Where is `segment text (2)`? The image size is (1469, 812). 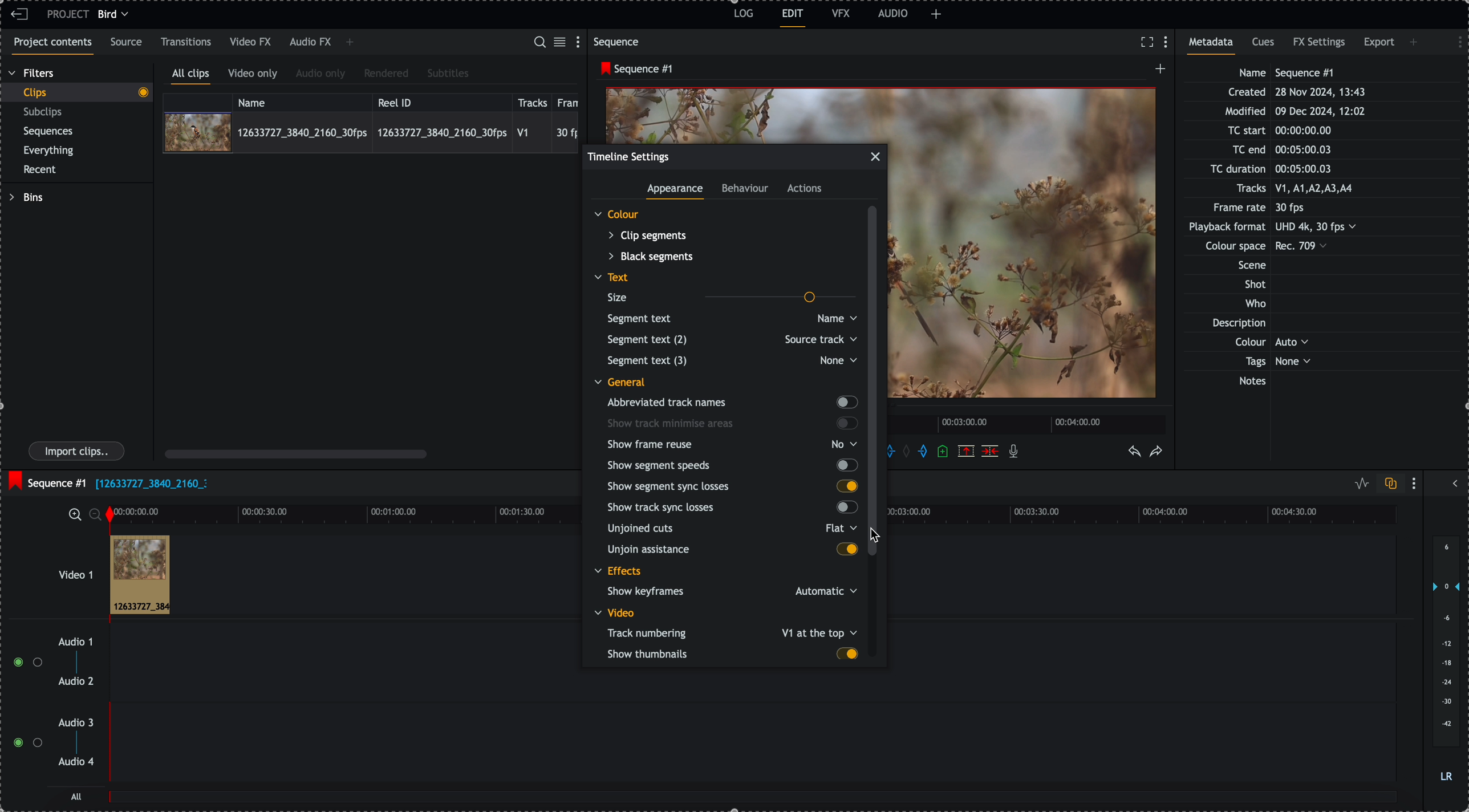
segment text (2) is located at coordinates (730, 340).